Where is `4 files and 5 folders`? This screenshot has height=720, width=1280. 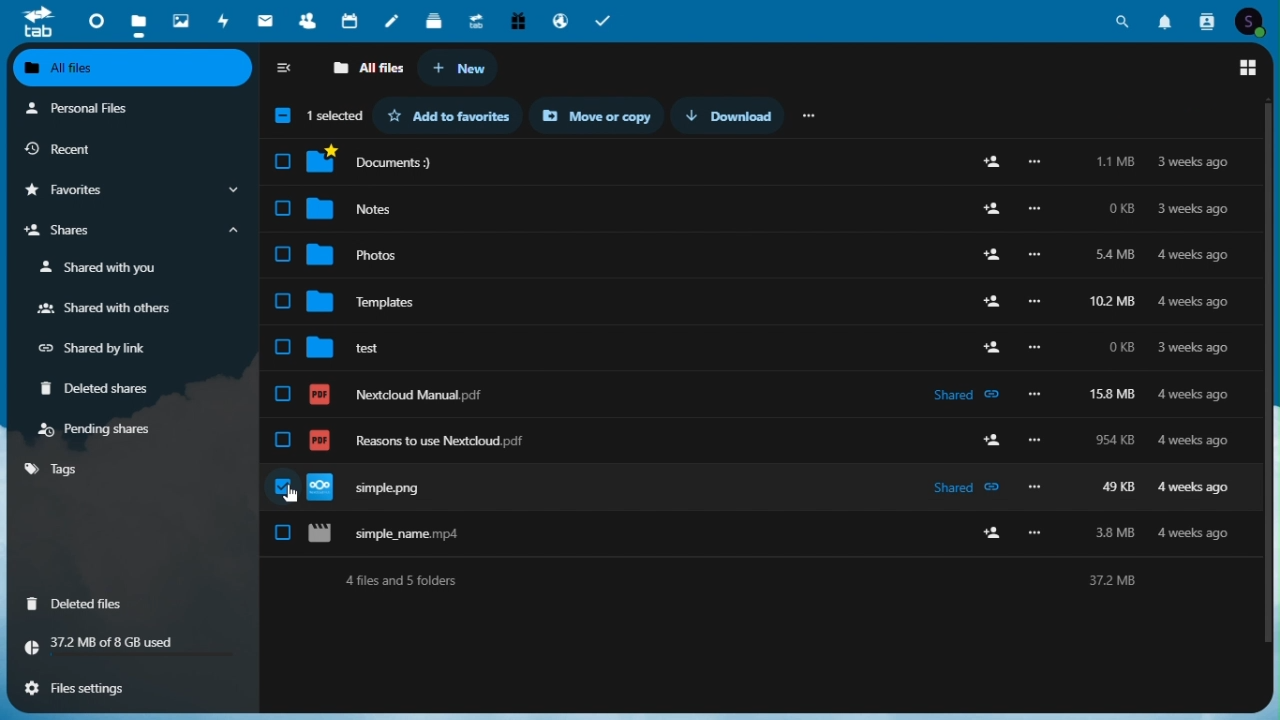 4 files and 5 folders is located at coordinates (762, 580).